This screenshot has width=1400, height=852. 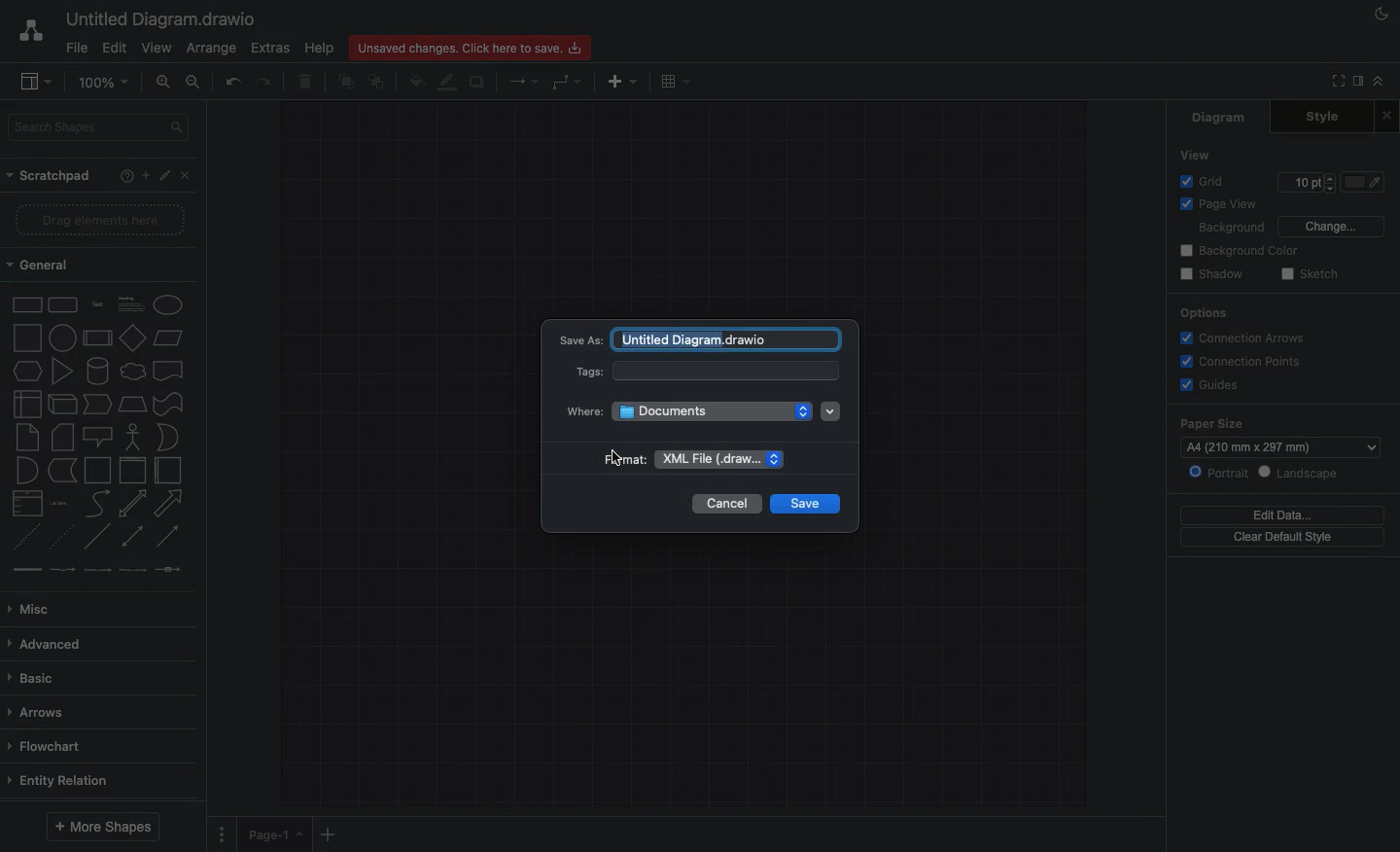 What do you see at coordinates (804, 504) in the screenshot?
I see `Save` at bounding box center [804, 504].